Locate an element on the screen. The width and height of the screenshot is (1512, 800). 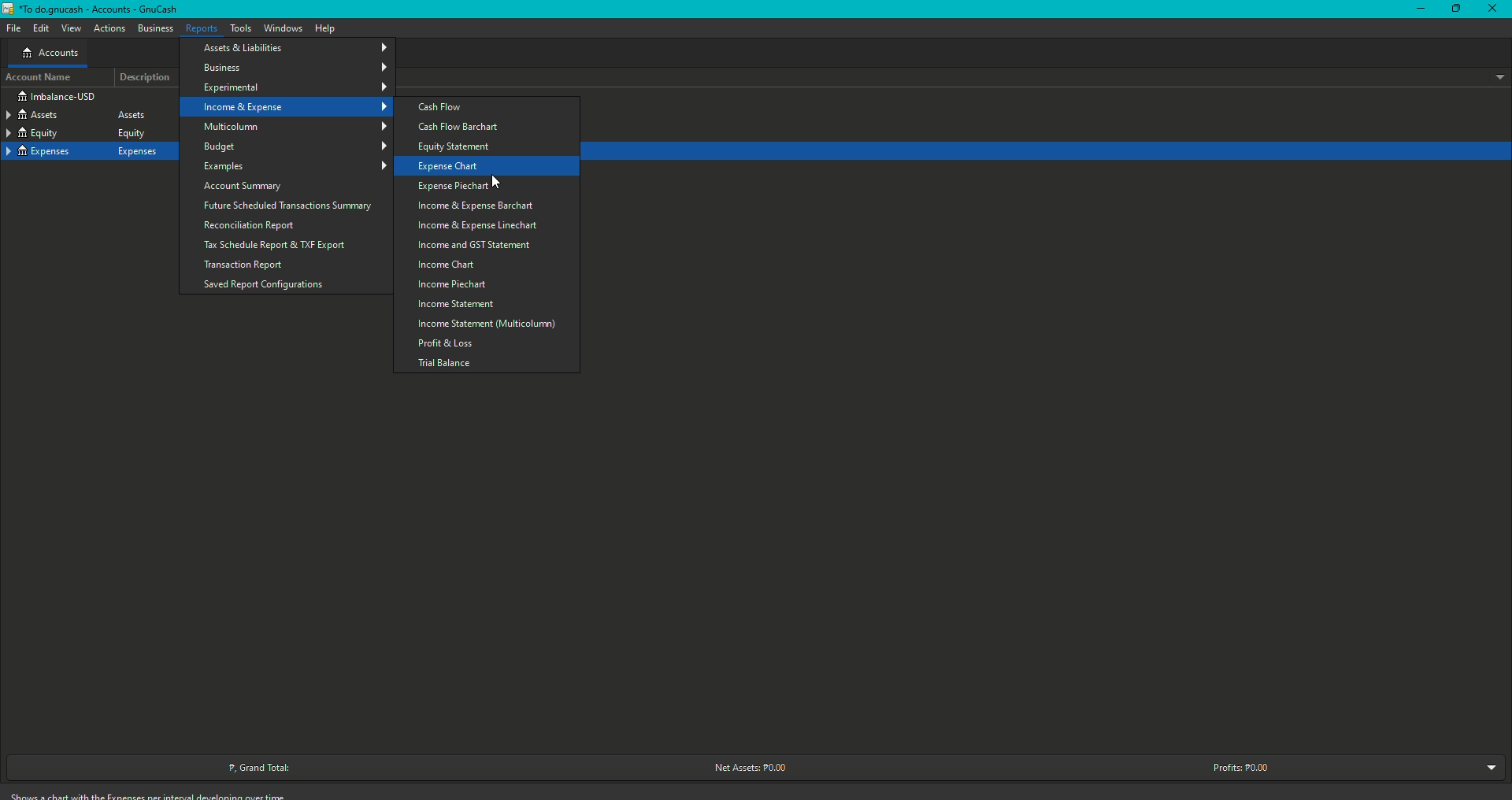
Budget is located at coordinates (296, 146).